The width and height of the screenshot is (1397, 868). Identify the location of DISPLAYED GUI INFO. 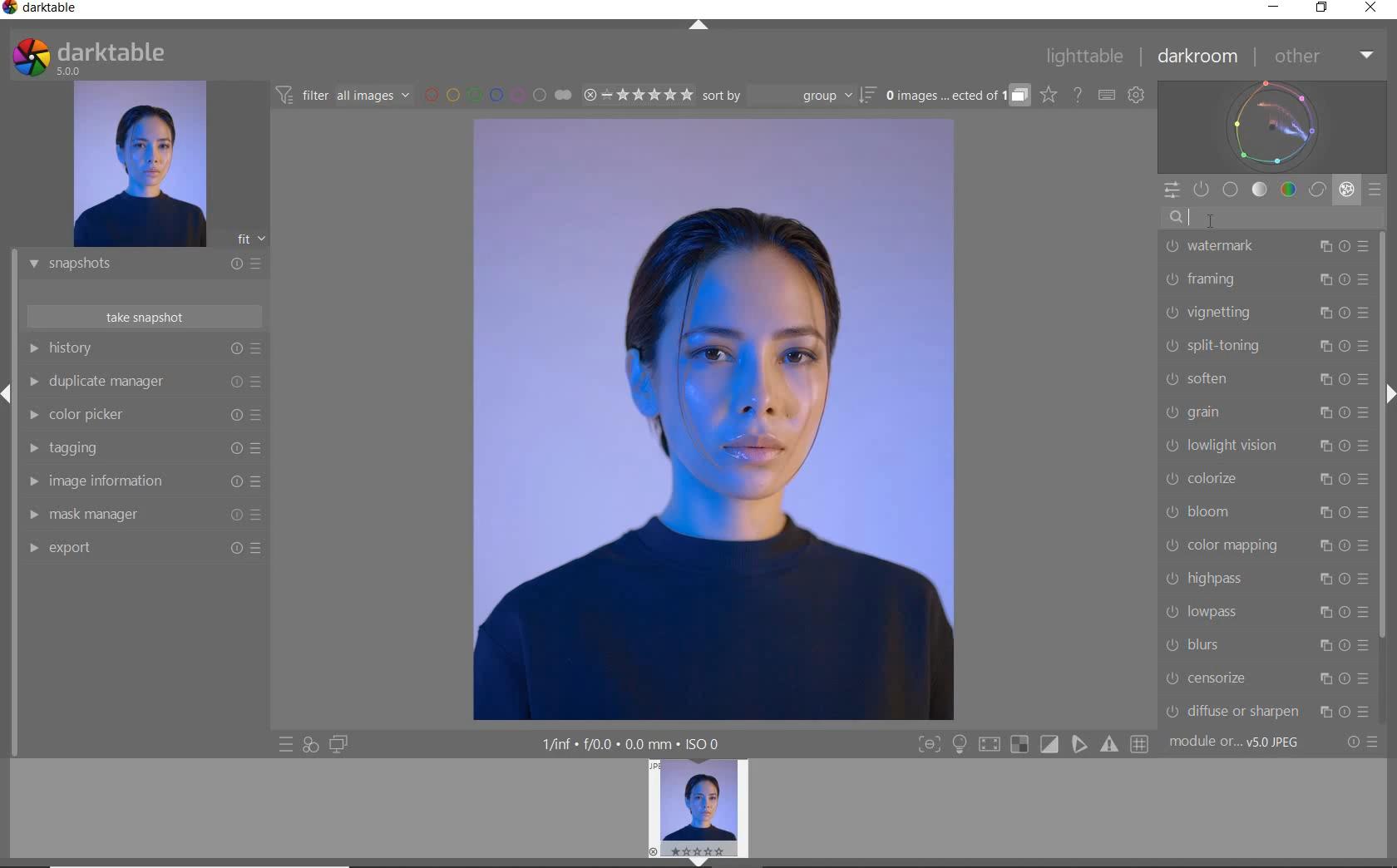
(628, 744).